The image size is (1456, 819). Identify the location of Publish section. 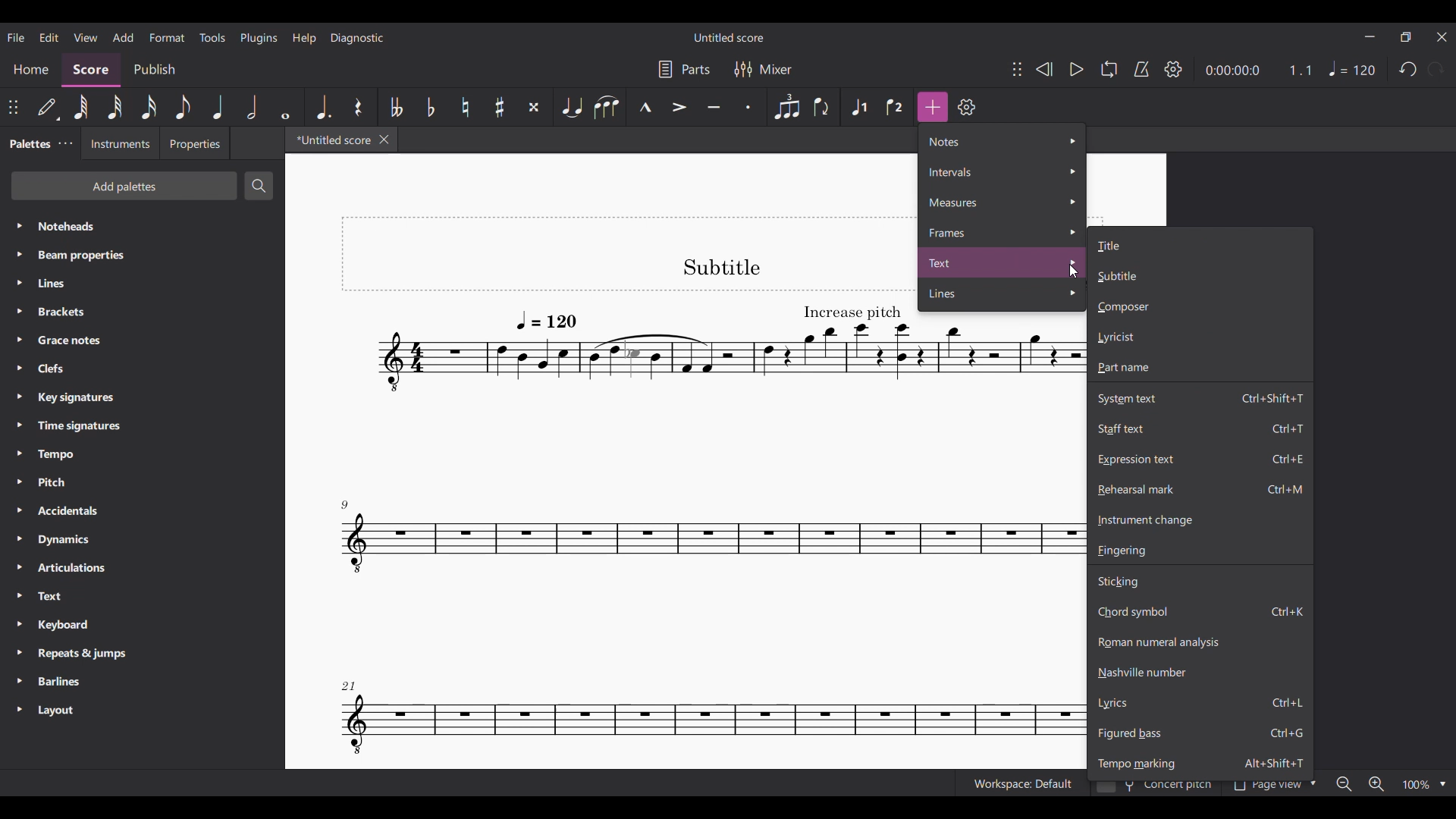
(154, 70).